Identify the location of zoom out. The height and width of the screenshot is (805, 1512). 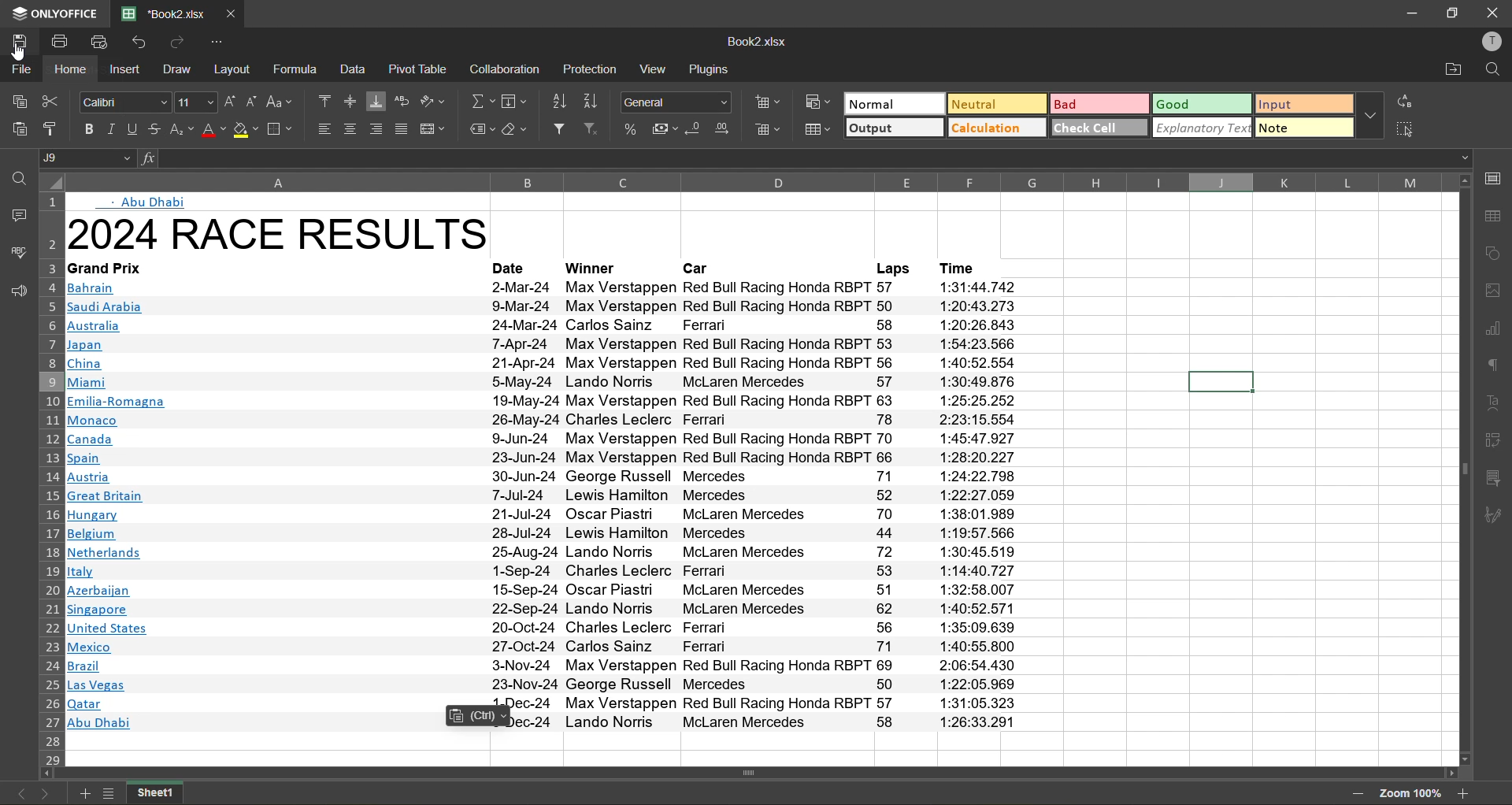
(1357, 796).